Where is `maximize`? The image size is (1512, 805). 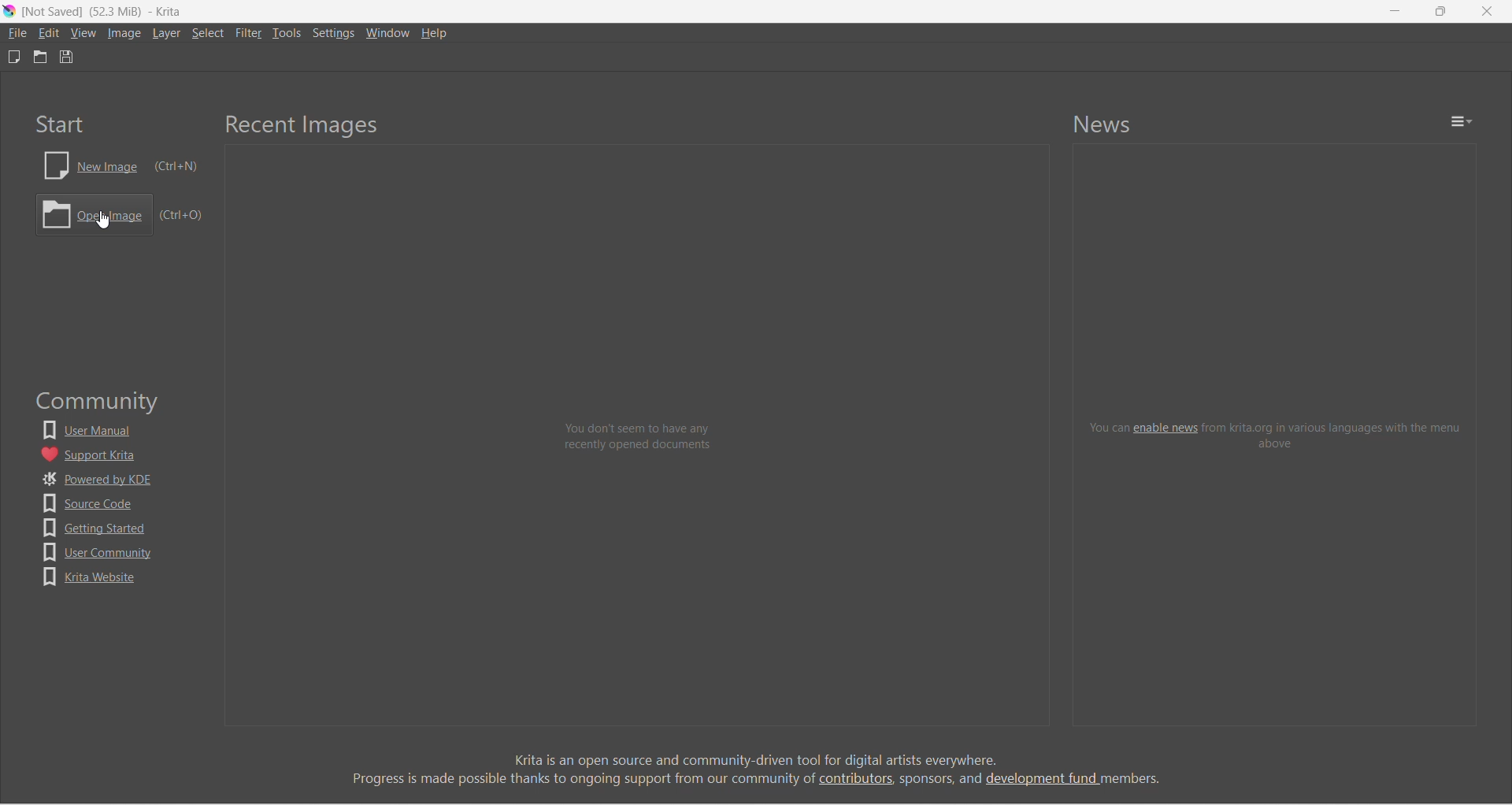
maximize is located at coordinates (1440, 11).